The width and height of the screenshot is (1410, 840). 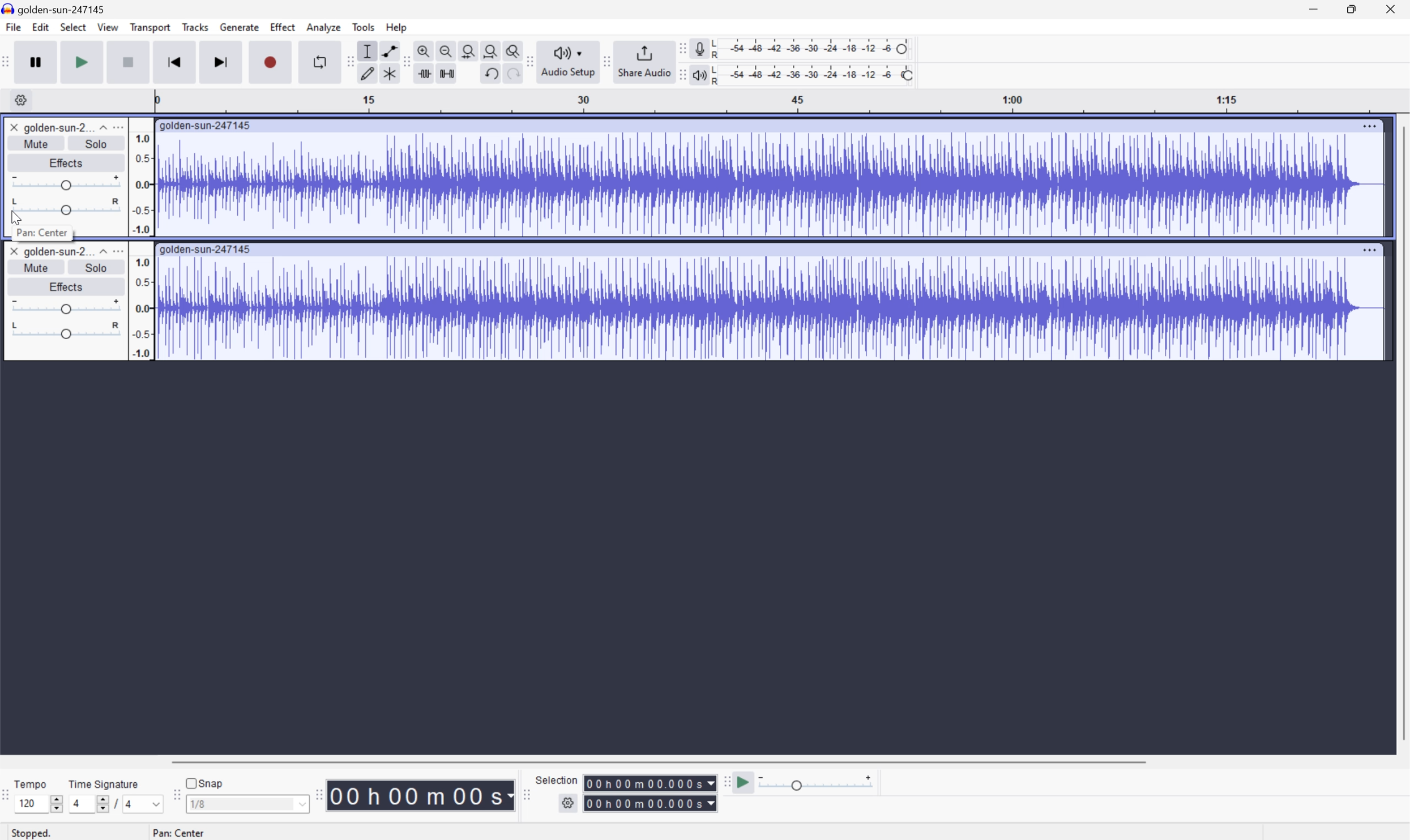 I want to click on Generate, so click(x=241, y=28).